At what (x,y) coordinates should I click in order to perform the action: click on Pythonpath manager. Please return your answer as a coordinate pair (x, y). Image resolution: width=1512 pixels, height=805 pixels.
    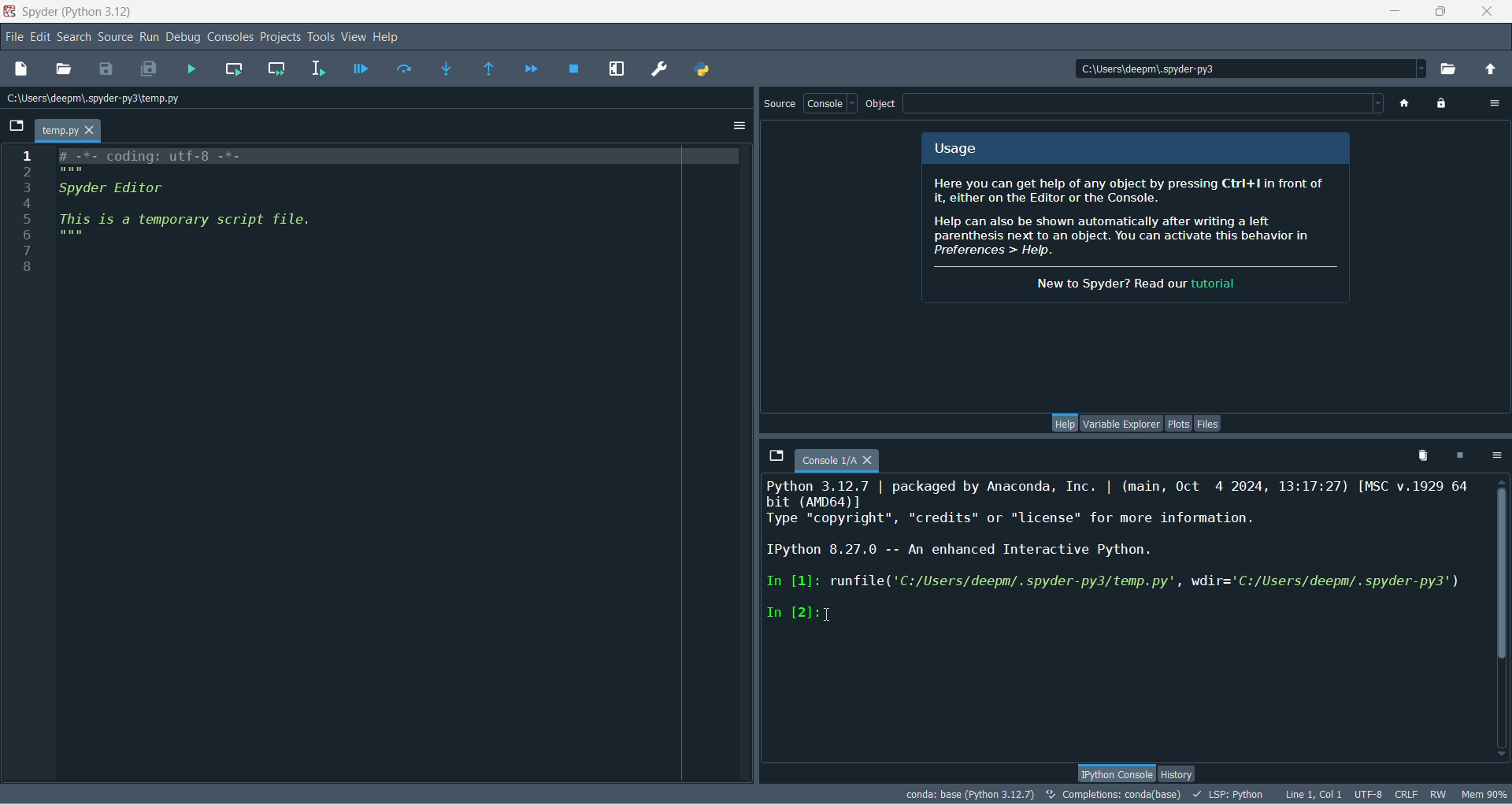
    Looking at the image, I should click on (702, 70).